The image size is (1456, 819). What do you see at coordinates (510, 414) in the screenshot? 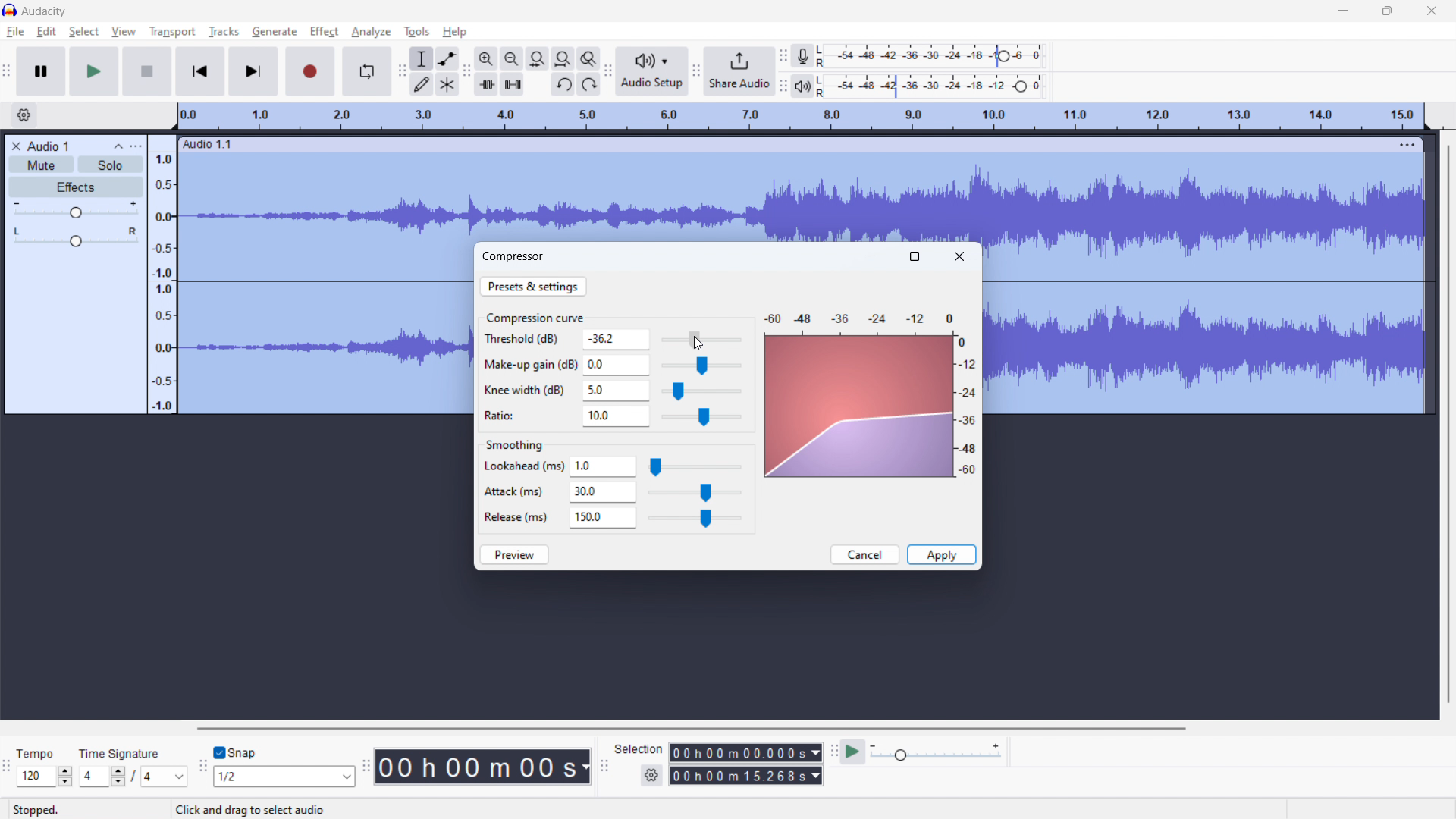
I see `Ratio:` at bounding box center [510, 414].